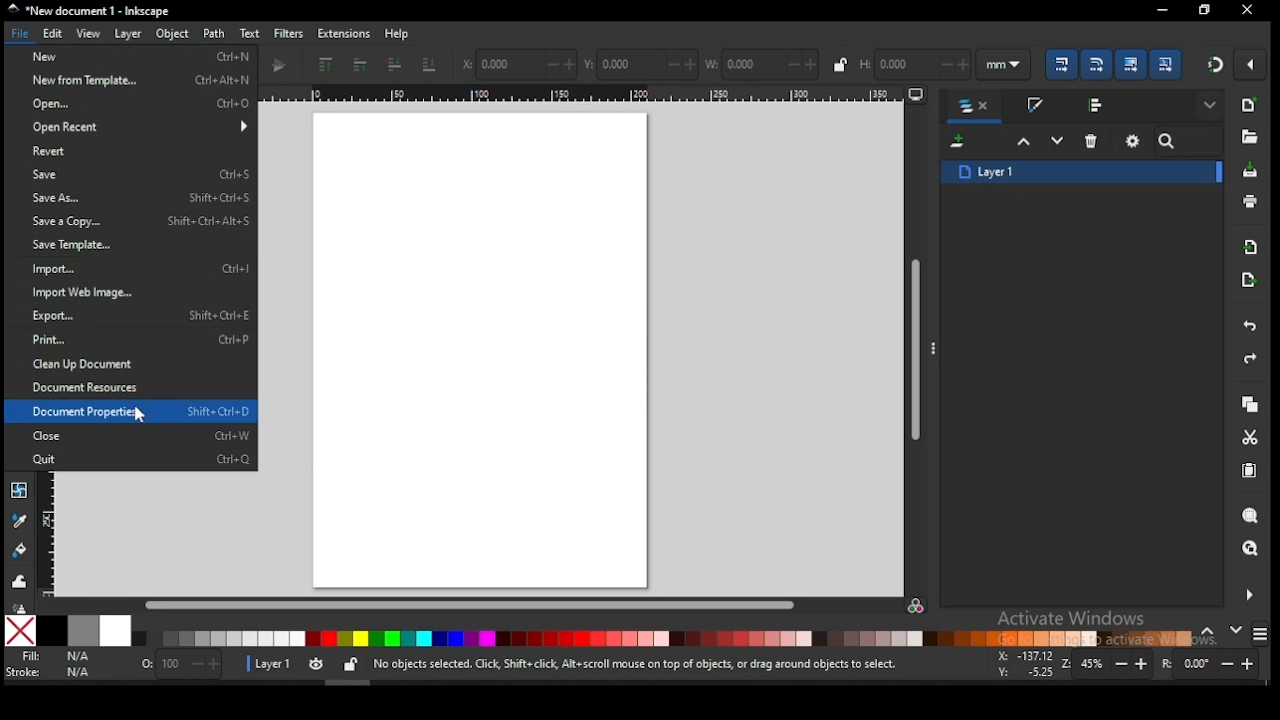 The width and height of the screenshot is (1280, 720). I want to click on save template, so click(100, 244).